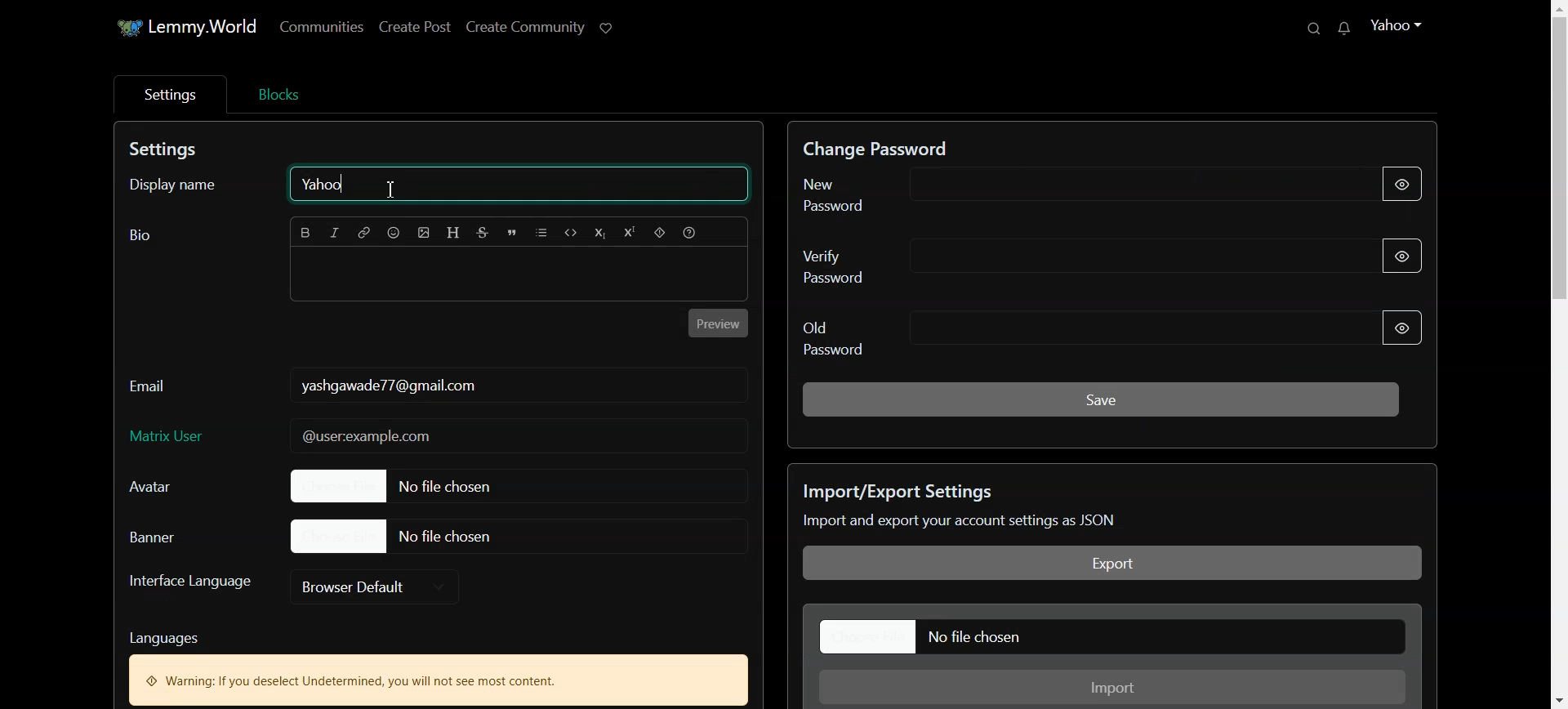  What do you see at coordinates (1348, 29) in the screenshot?
I see `` at bounding box center [1348, 29].